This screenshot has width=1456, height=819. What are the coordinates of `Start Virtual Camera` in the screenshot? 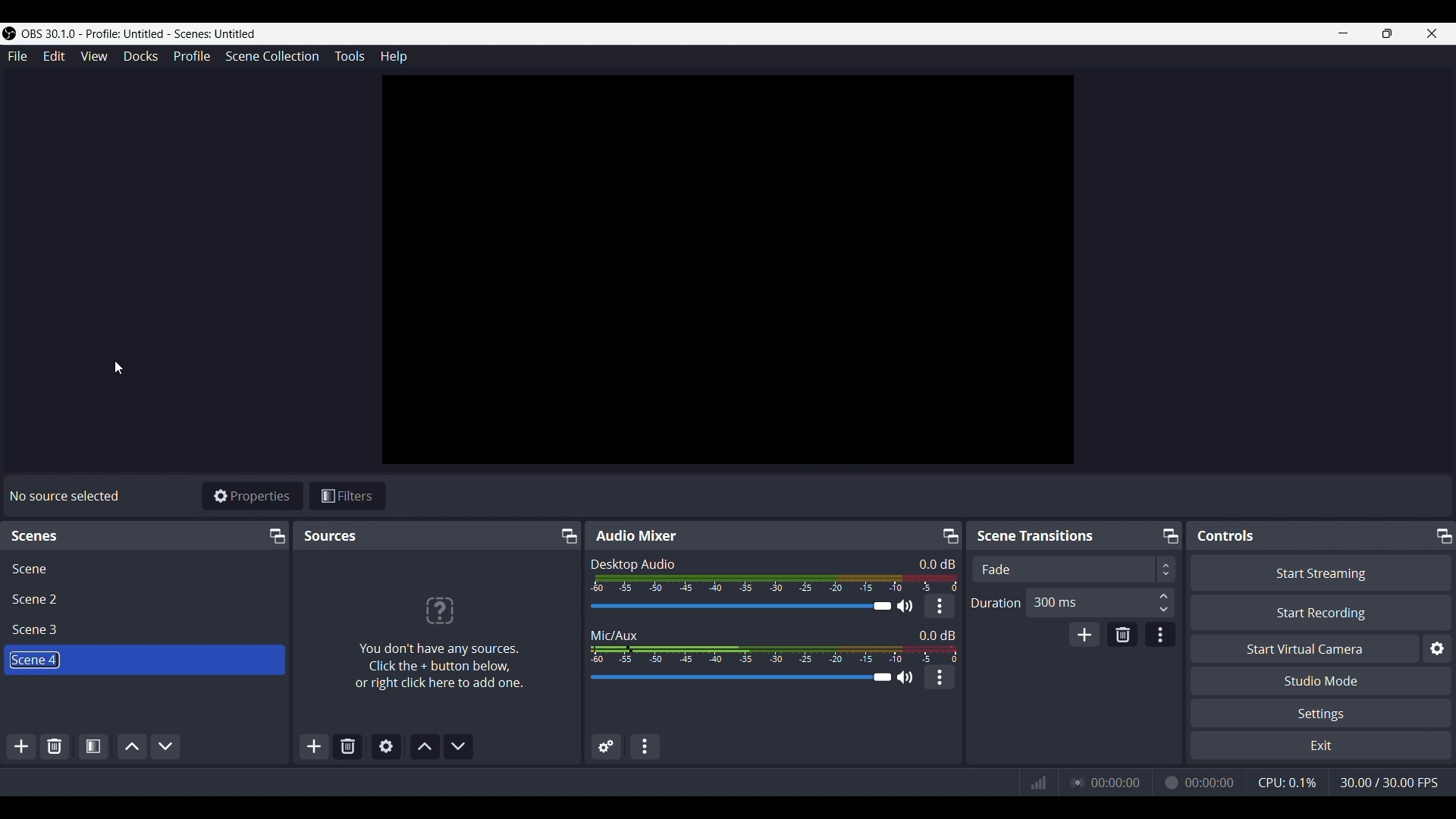 It's located at (1304, 649).